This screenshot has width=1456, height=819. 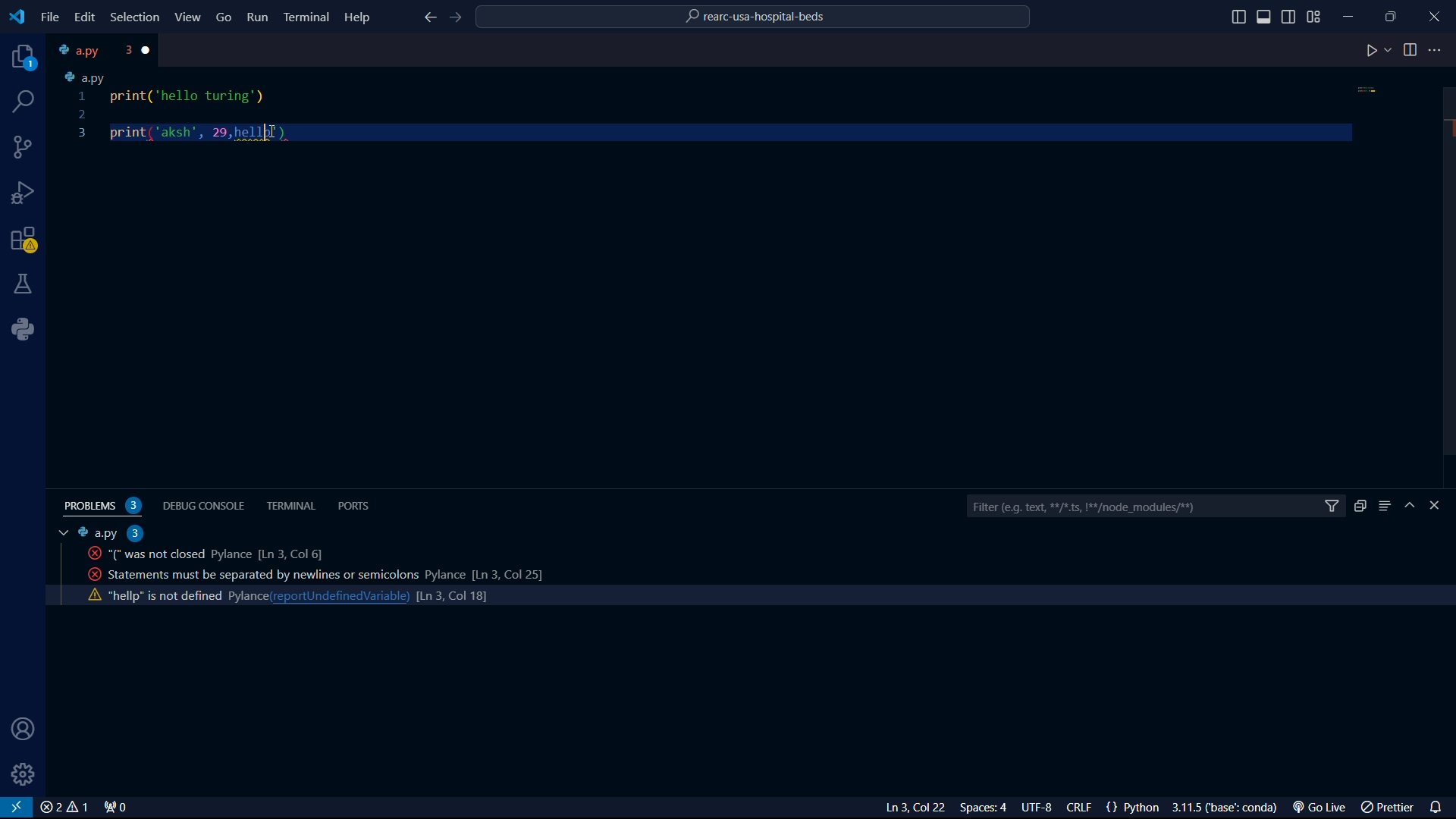 What do you see at coordinates (1389, 808) in the screenshot?
I see `prettier` at bounding box center [1389, 808].